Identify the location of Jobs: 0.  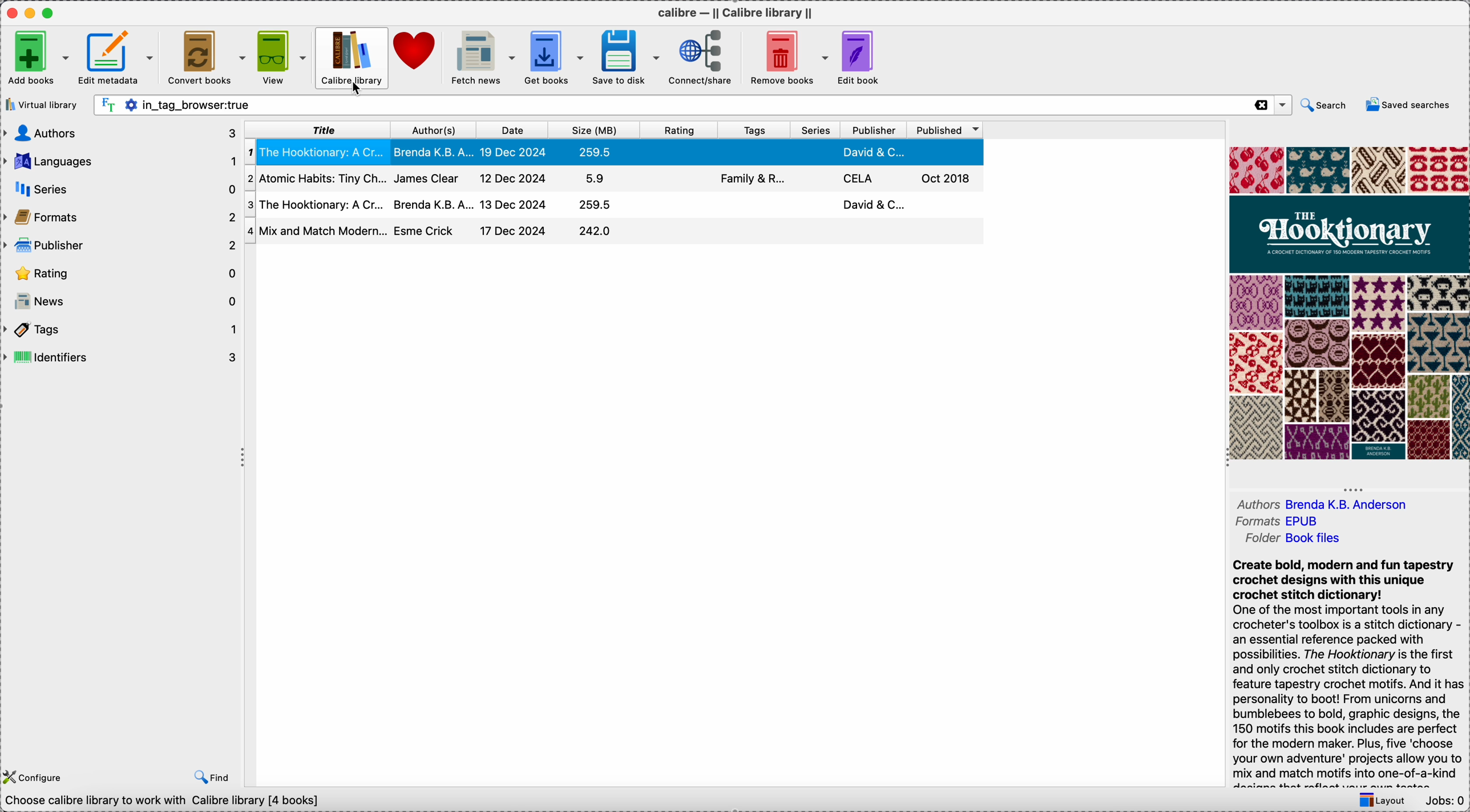
(1445, 801).